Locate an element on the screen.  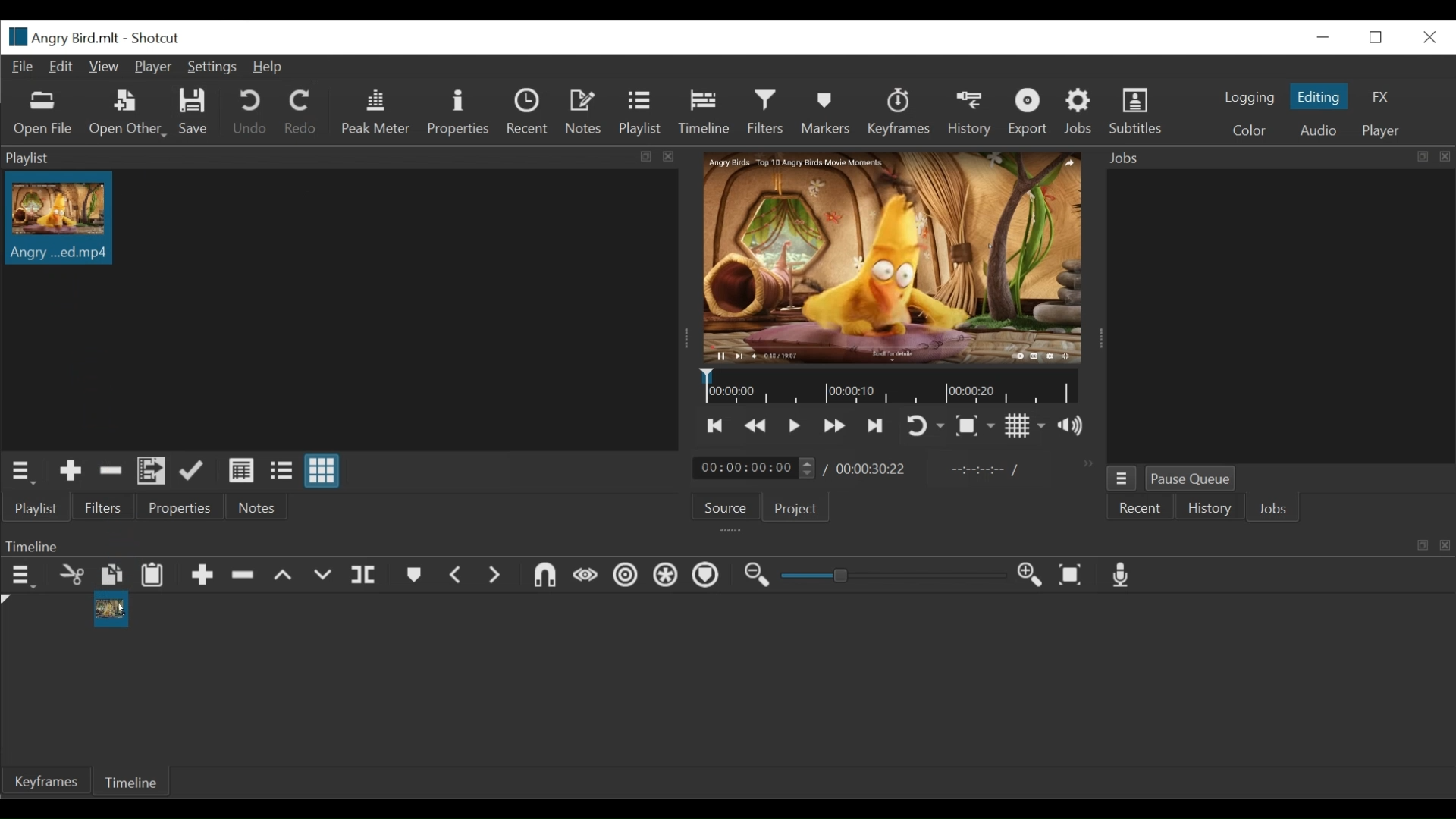
FX is located at coordinates (1379, 96).